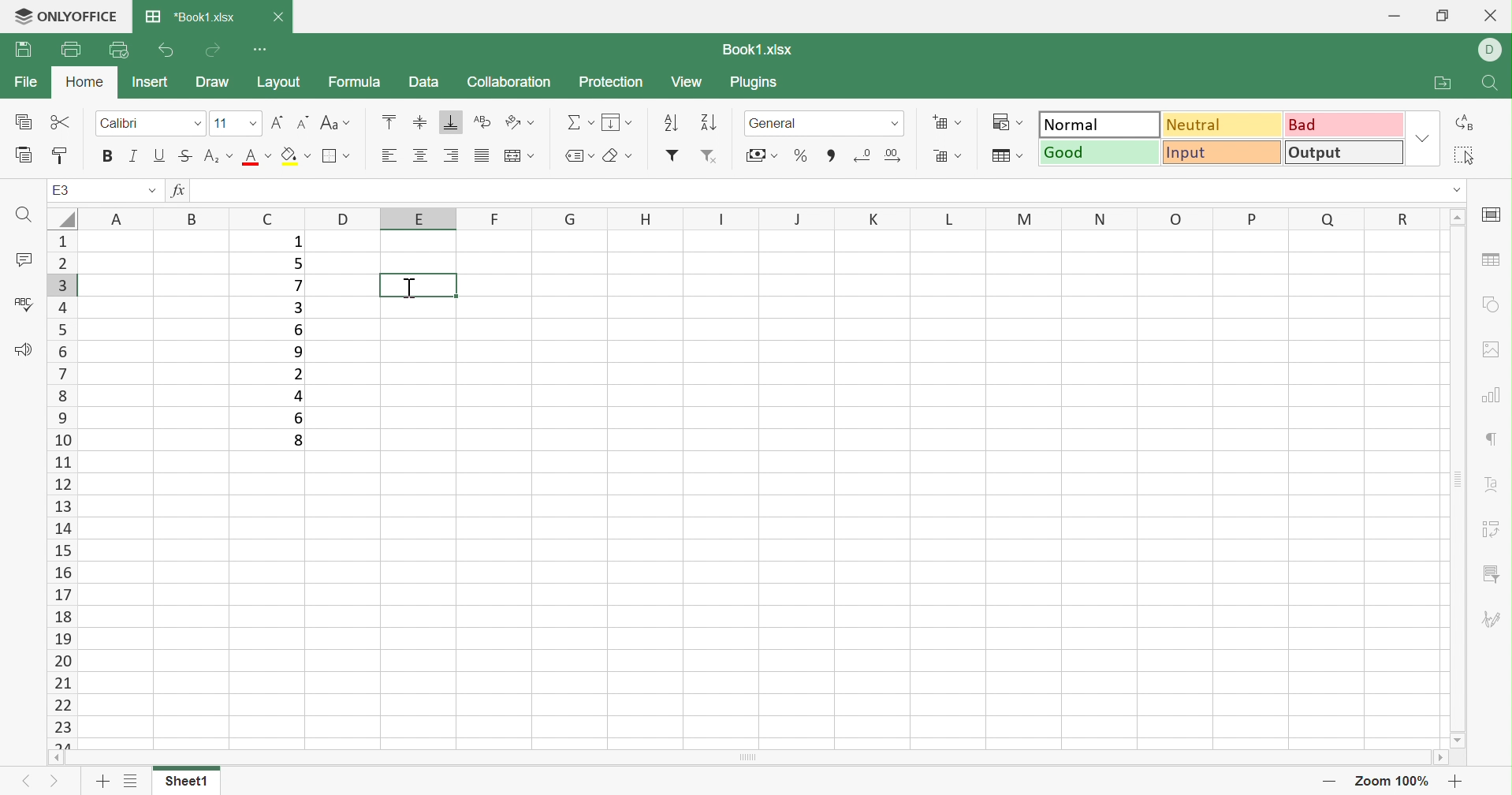 This screenshot has height=795, width=1512. Describe the element at coordinates (1395, 780) in the screenshot. I see `Zoom 100%` at that location.